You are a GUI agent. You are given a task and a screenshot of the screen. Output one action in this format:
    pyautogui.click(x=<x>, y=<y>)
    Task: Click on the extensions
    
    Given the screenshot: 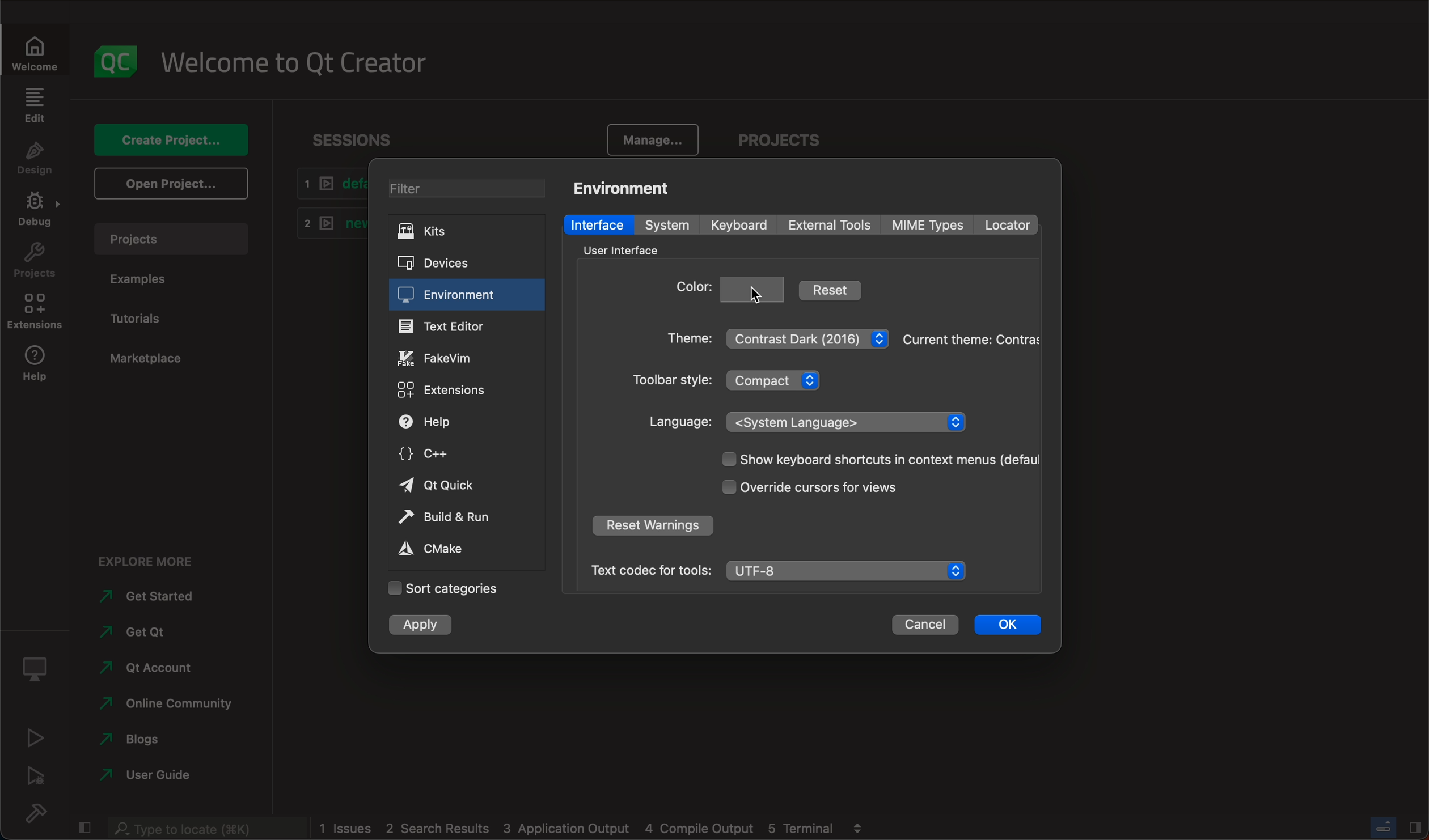 What is the action you would take?
    pyautogui.click(x=457, y=391)
    